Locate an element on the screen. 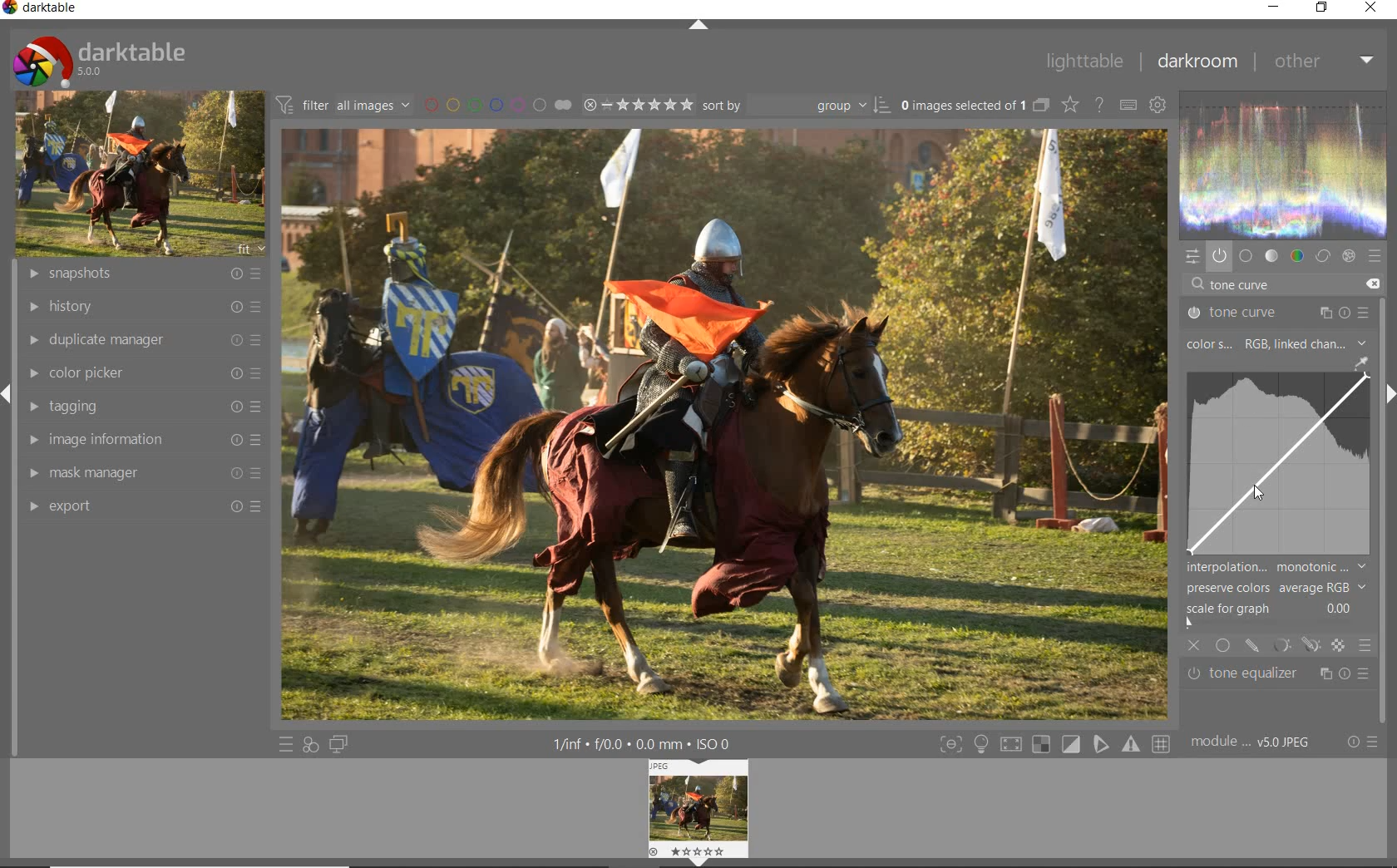 The width and height of the screenshot is (1397, 868). tone curve is located at coordinates (1278, 313).